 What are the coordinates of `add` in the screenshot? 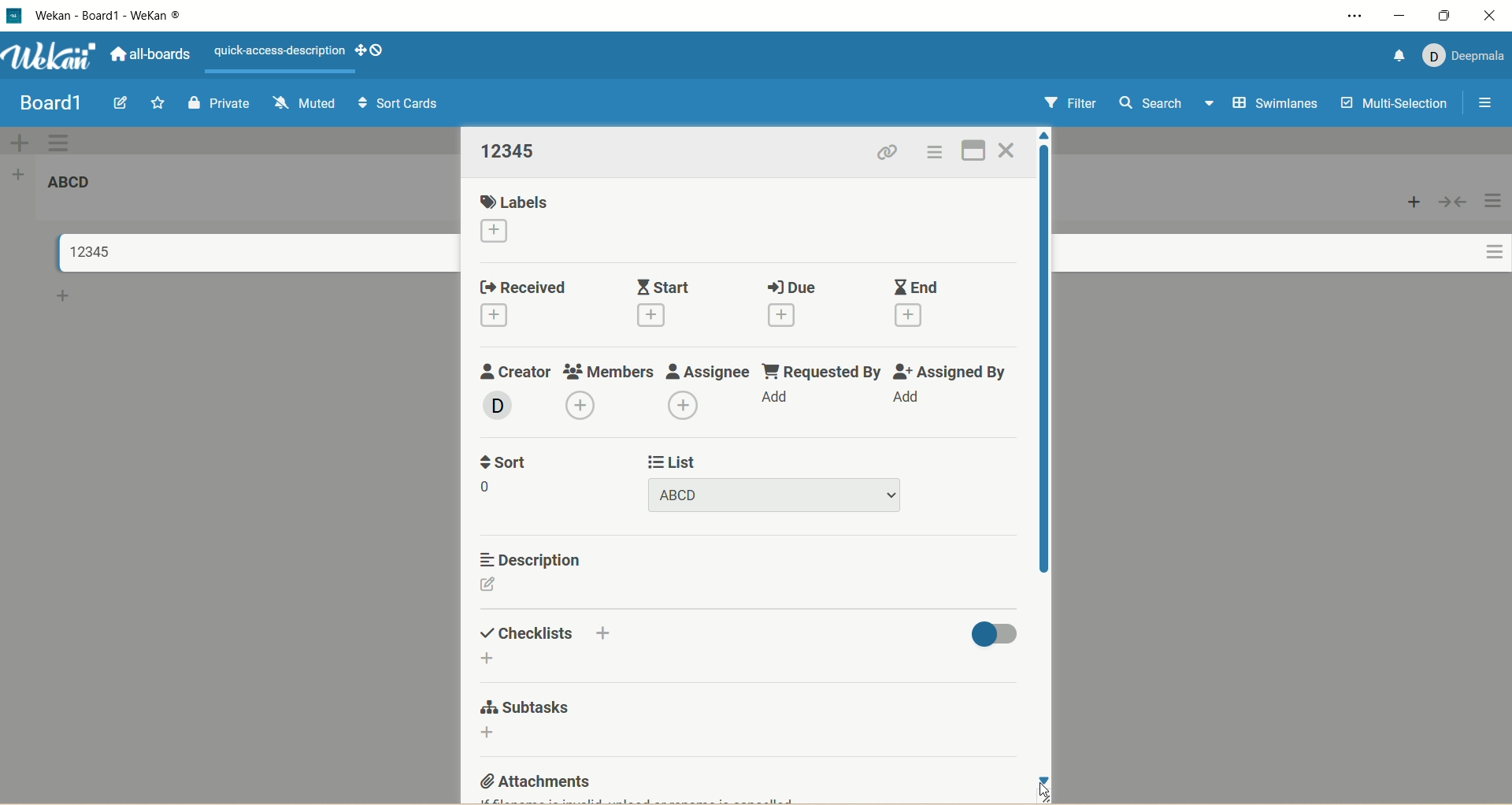 It's located at (499, 316).